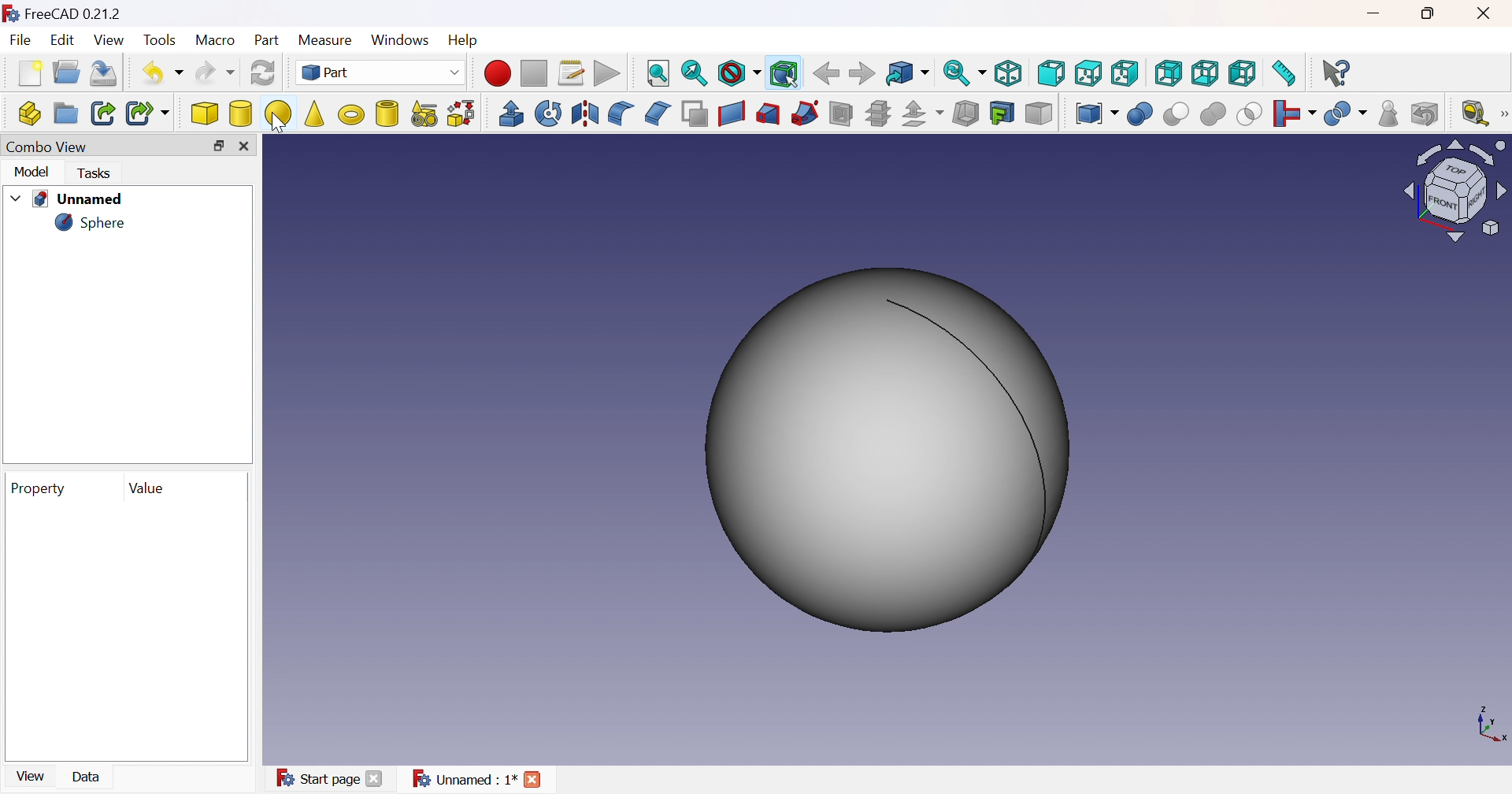 The height and width of the screenshot is (794, 1512). What do you see at coordinates (67, 14) in the screenshot?
I see `FreeCAD 0.21.1` at bounding box center [67, 14].